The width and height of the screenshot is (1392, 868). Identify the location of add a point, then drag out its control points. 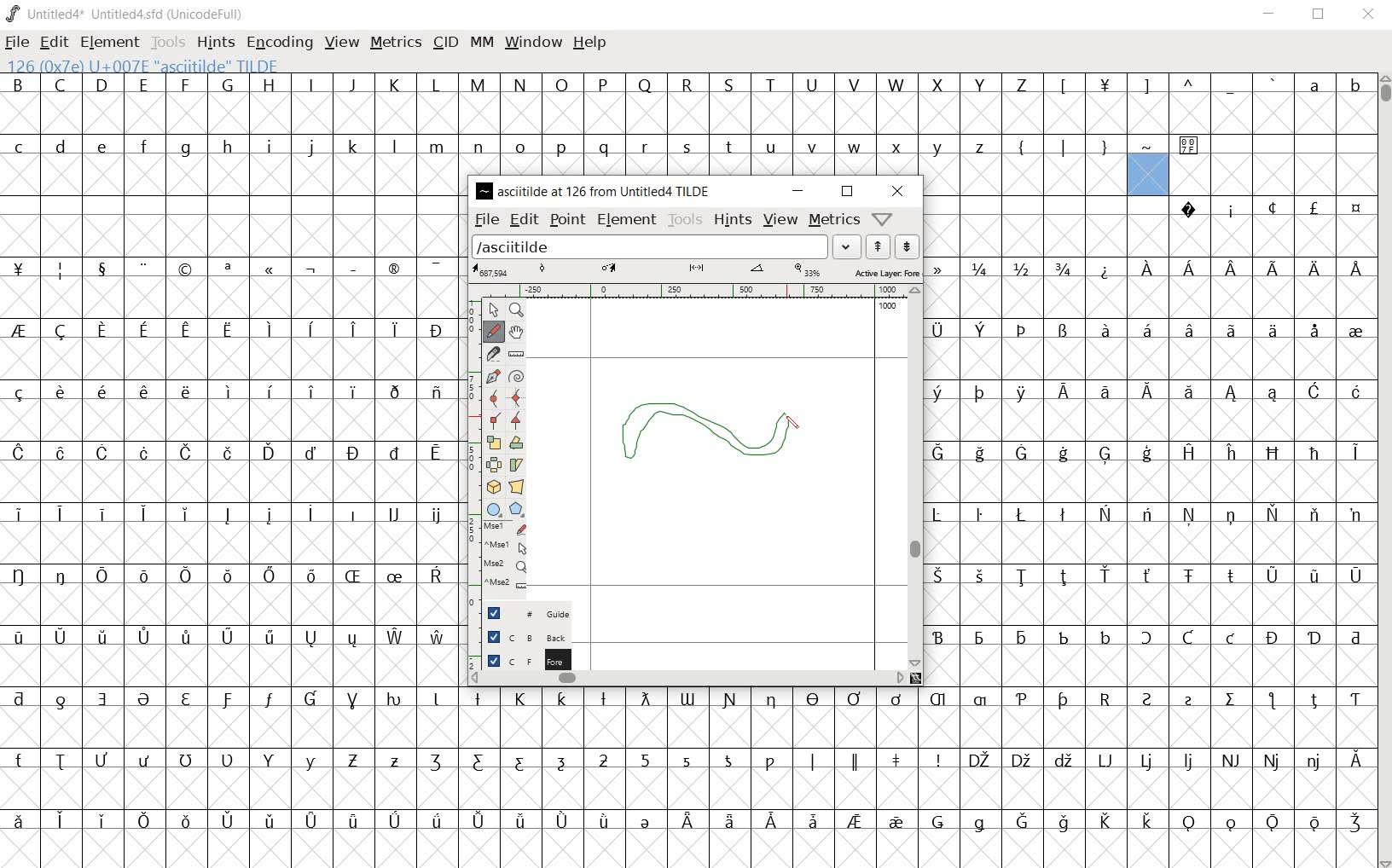
(491, 375).